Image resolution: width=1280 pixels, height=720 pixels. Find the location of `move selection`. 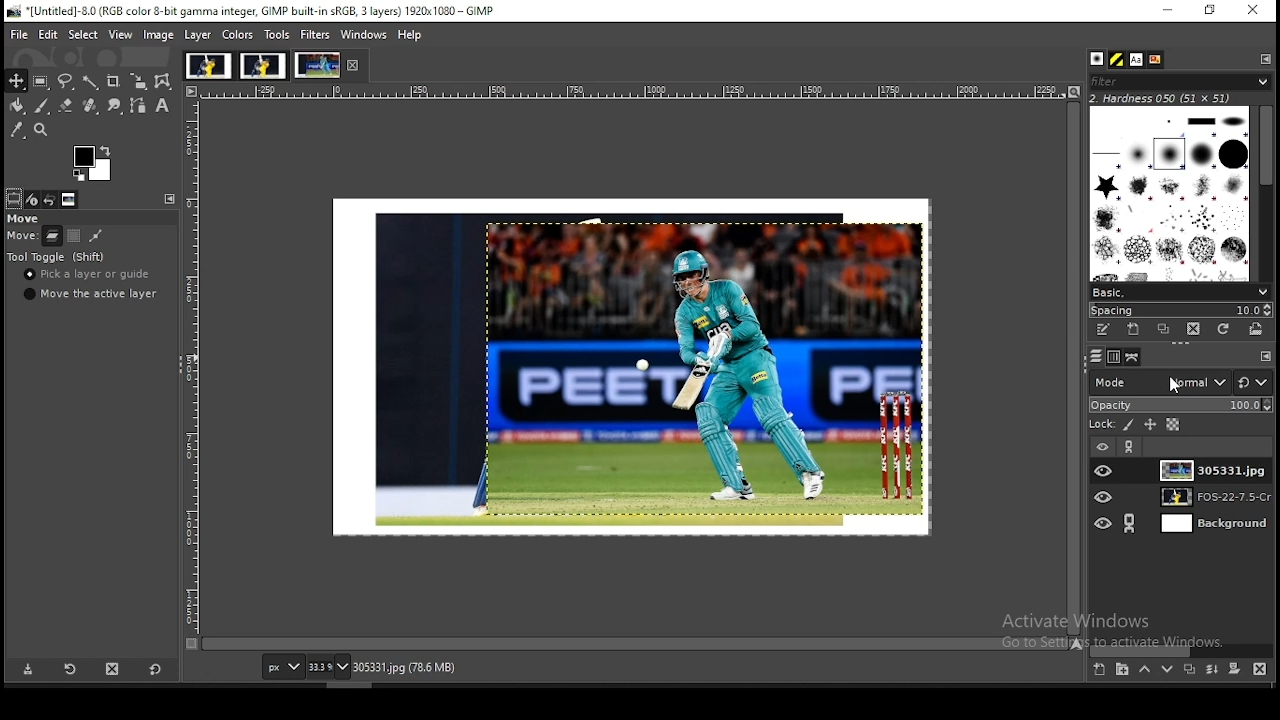

move selection is located at coordinates (73, 236).